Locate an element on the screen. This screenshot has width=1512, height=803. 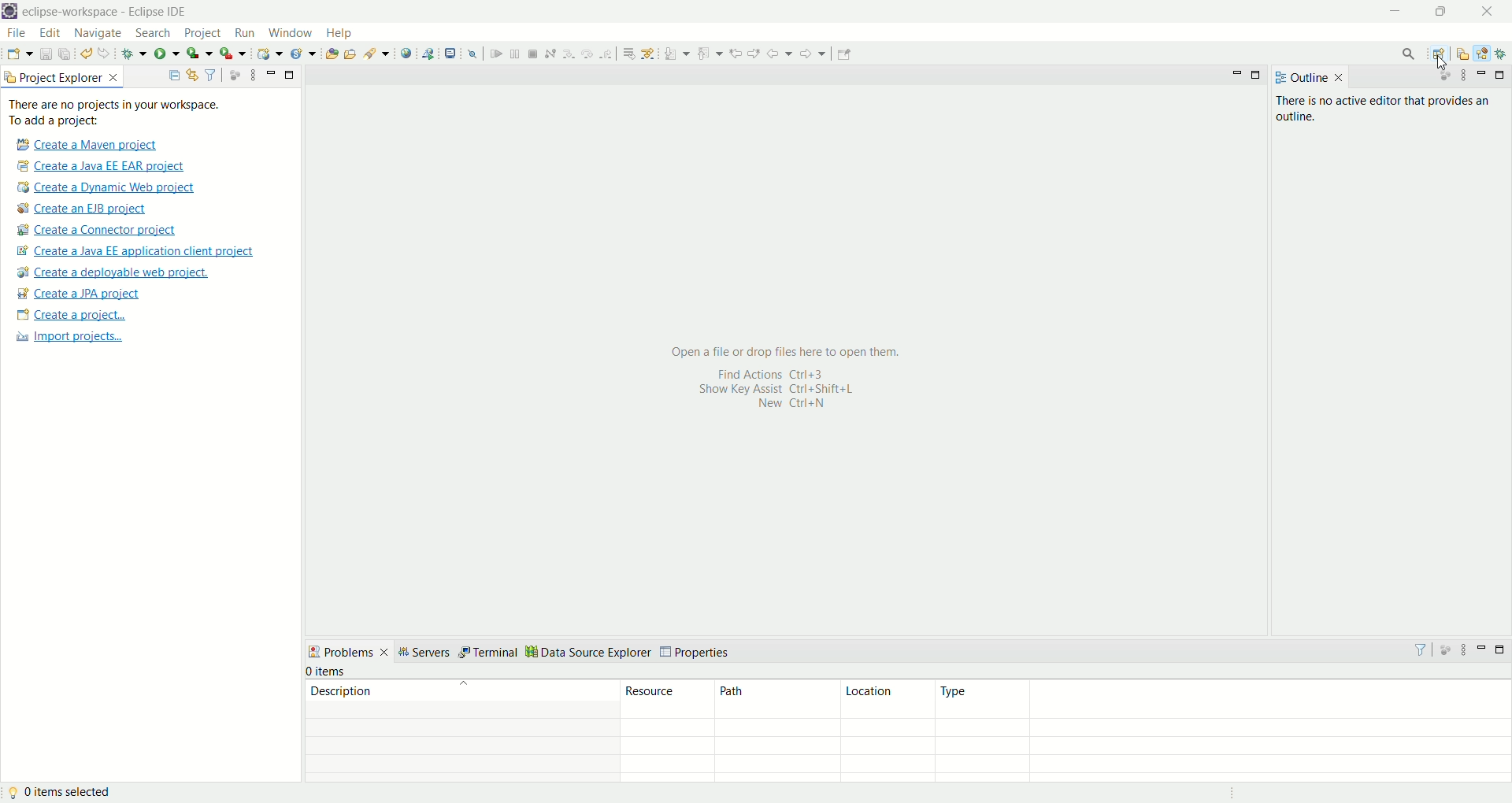
forward is located at coordinates (812, 54).